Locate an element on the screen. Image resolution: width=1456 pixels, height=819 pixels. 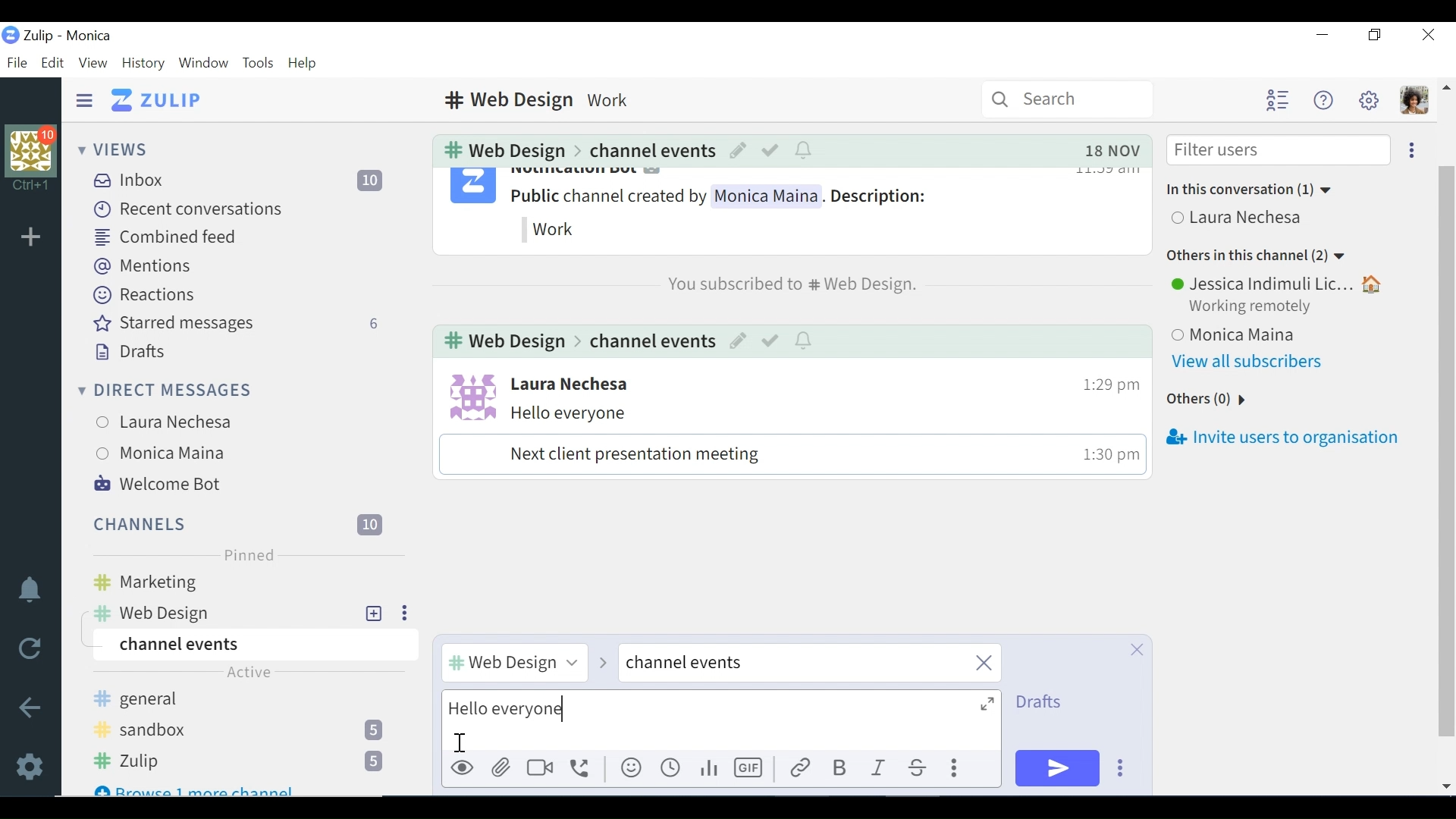
History is located at coordinates (143, 63).